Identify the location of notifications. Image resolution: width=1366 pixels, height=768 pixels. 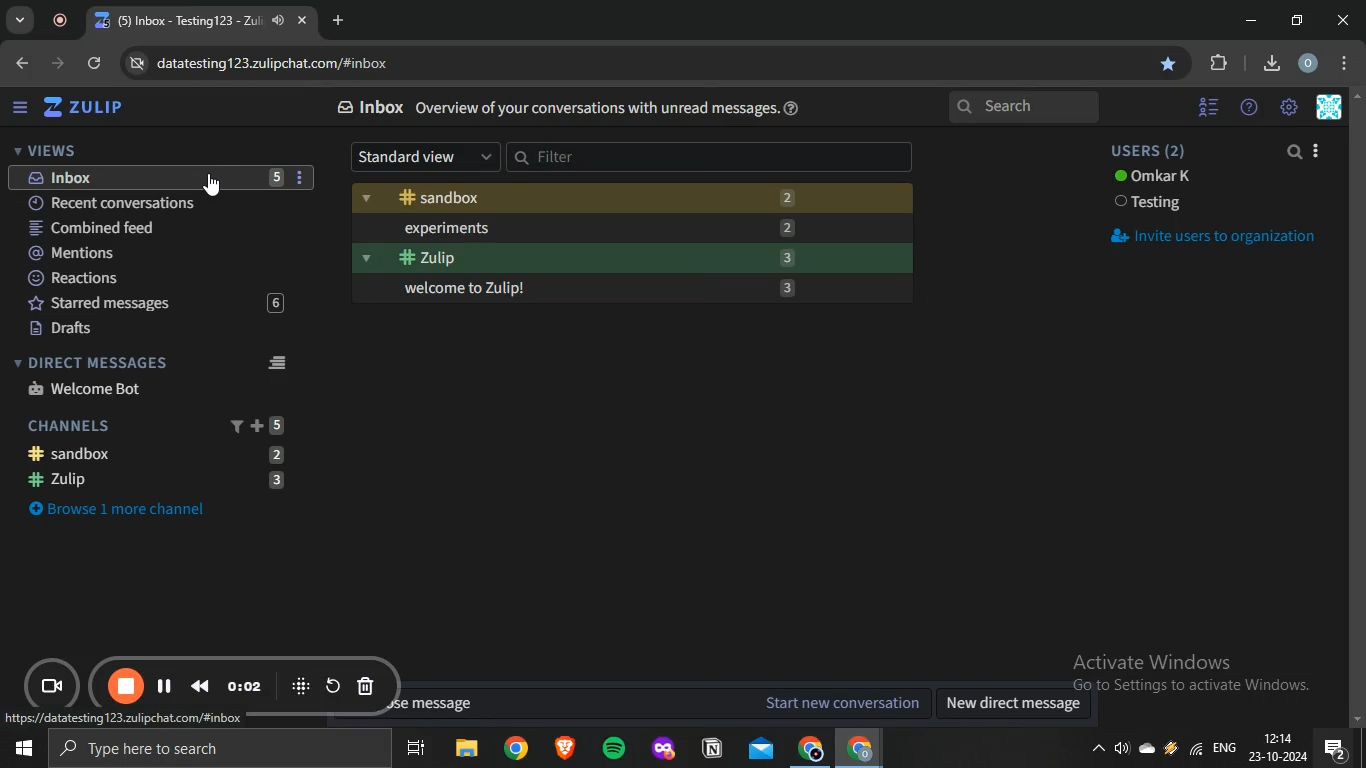
(1335, 749).